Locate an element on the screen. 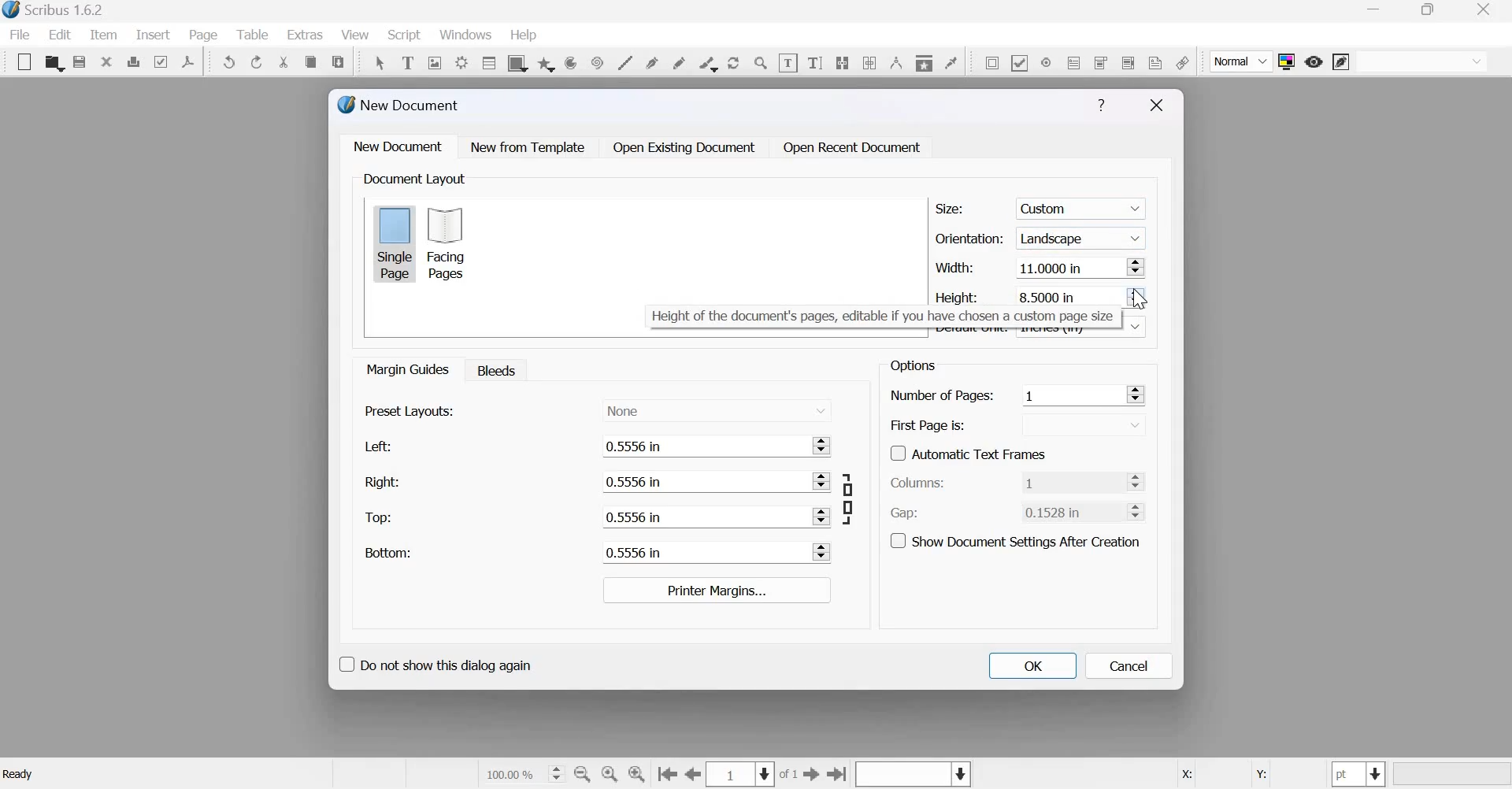 This screenshot has height=789, width=1512. current zoom level is located at coordinates (523, 773).